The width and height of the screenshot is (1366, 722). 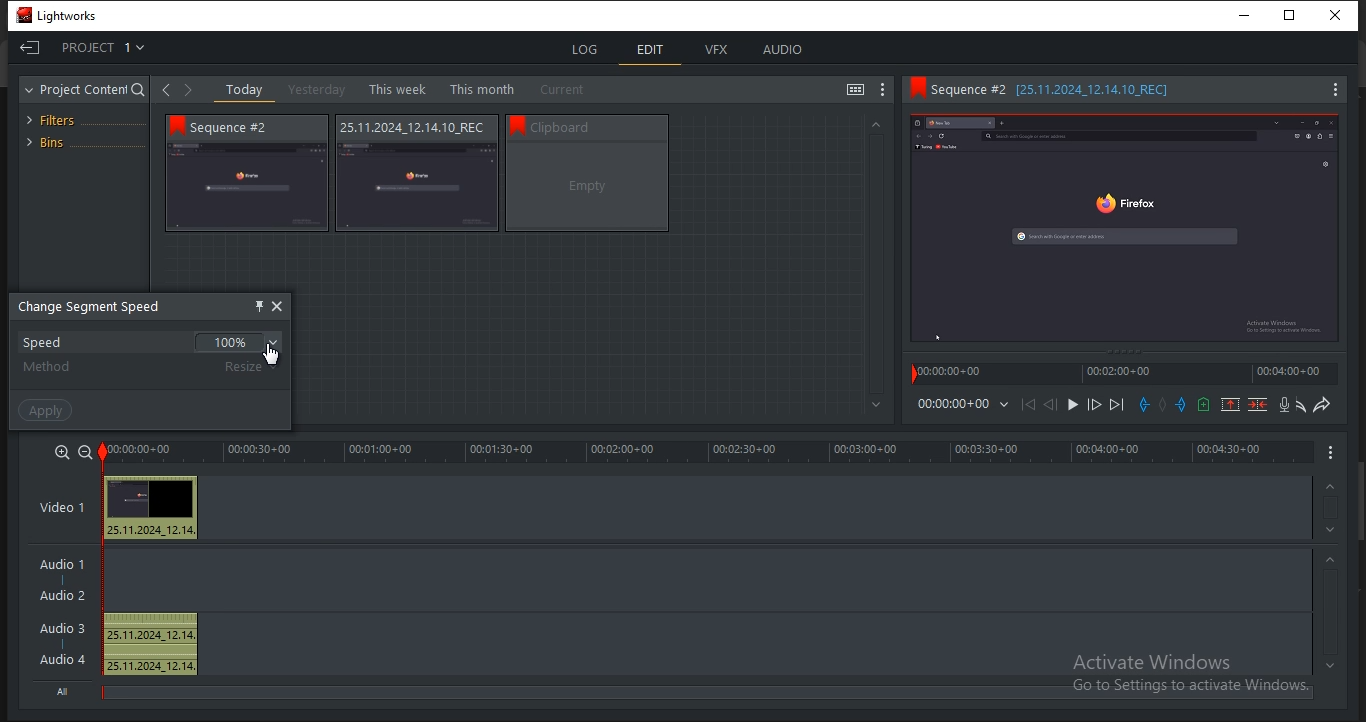 What do you see at coordinates (1094, 405) in the screenshot?
I see `Nudge one frame forward` at bounding box center [1094, 405].